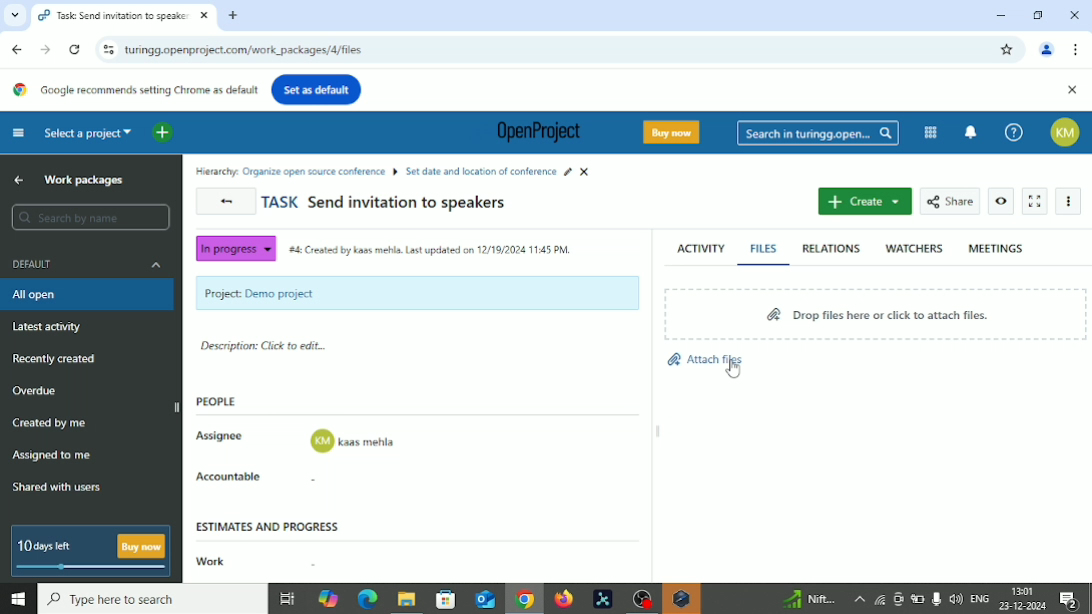 The image size is (1092, 614). Describe the element at coordinates (178, 406) in the screenshot. I see `hide sidebar` at that location.